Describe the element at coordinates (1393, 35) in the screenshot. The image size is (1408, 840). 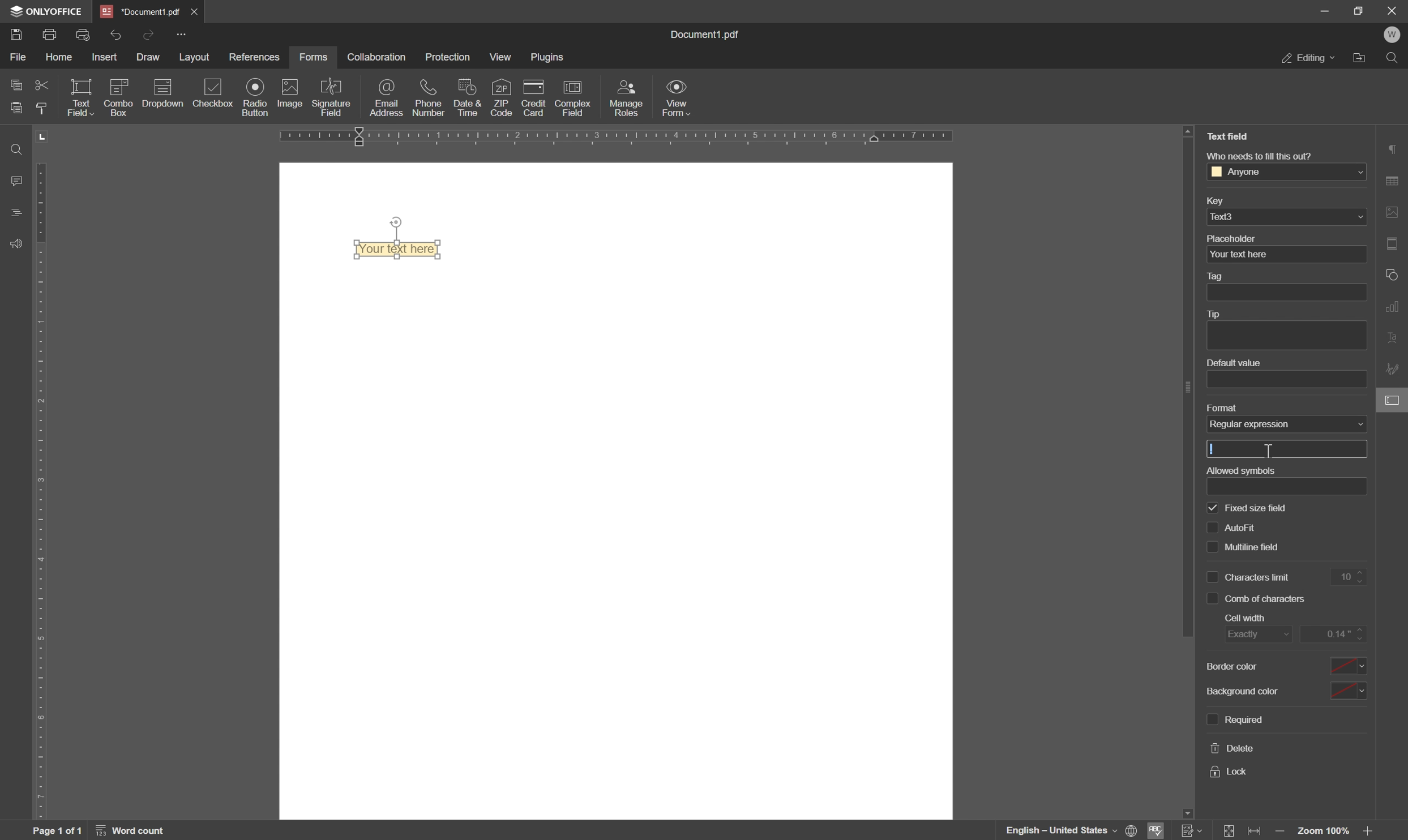
I see `welcome` at that location.